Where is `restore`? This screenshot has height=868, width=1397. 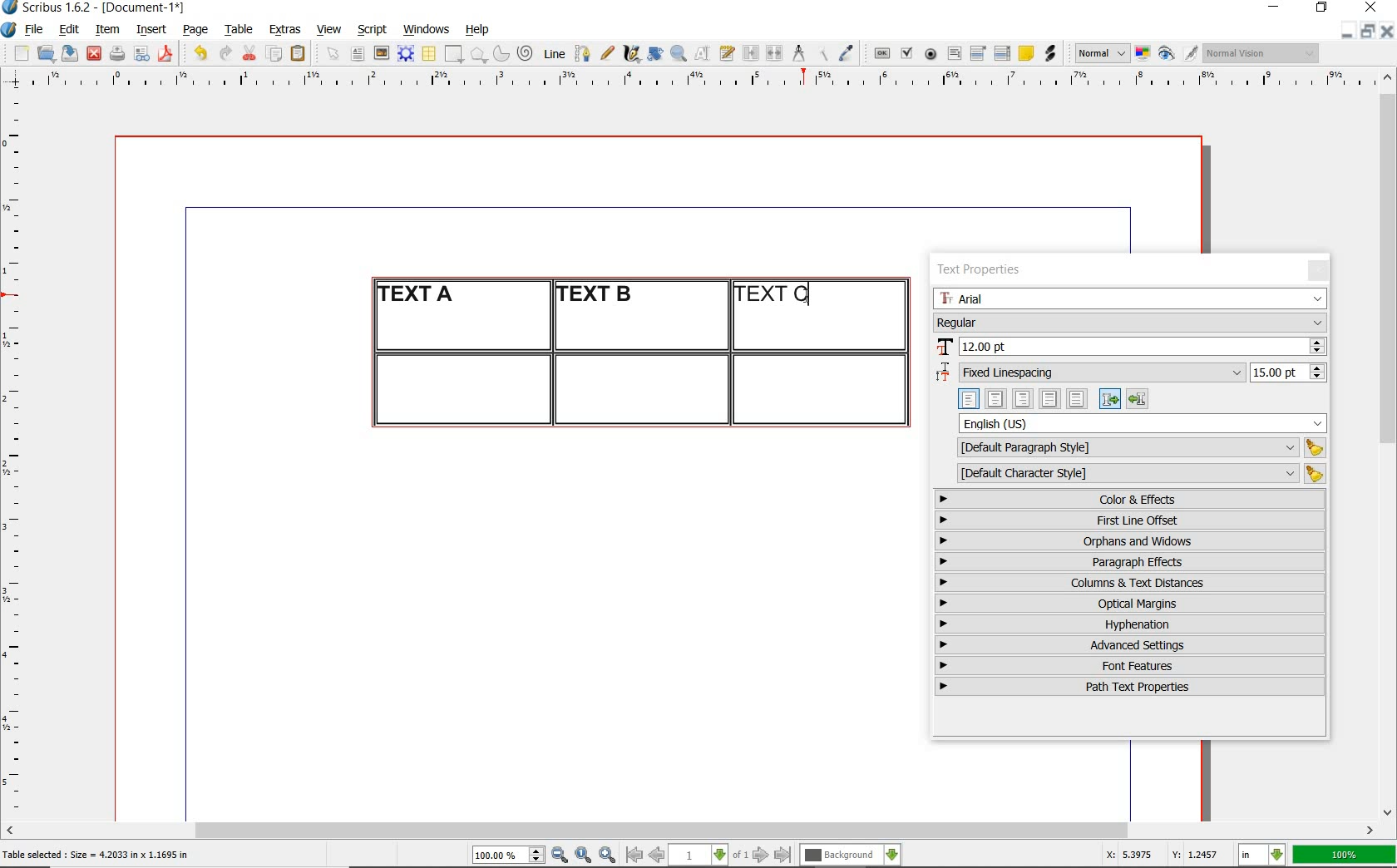
restore is located at coordinates (1322, 8).